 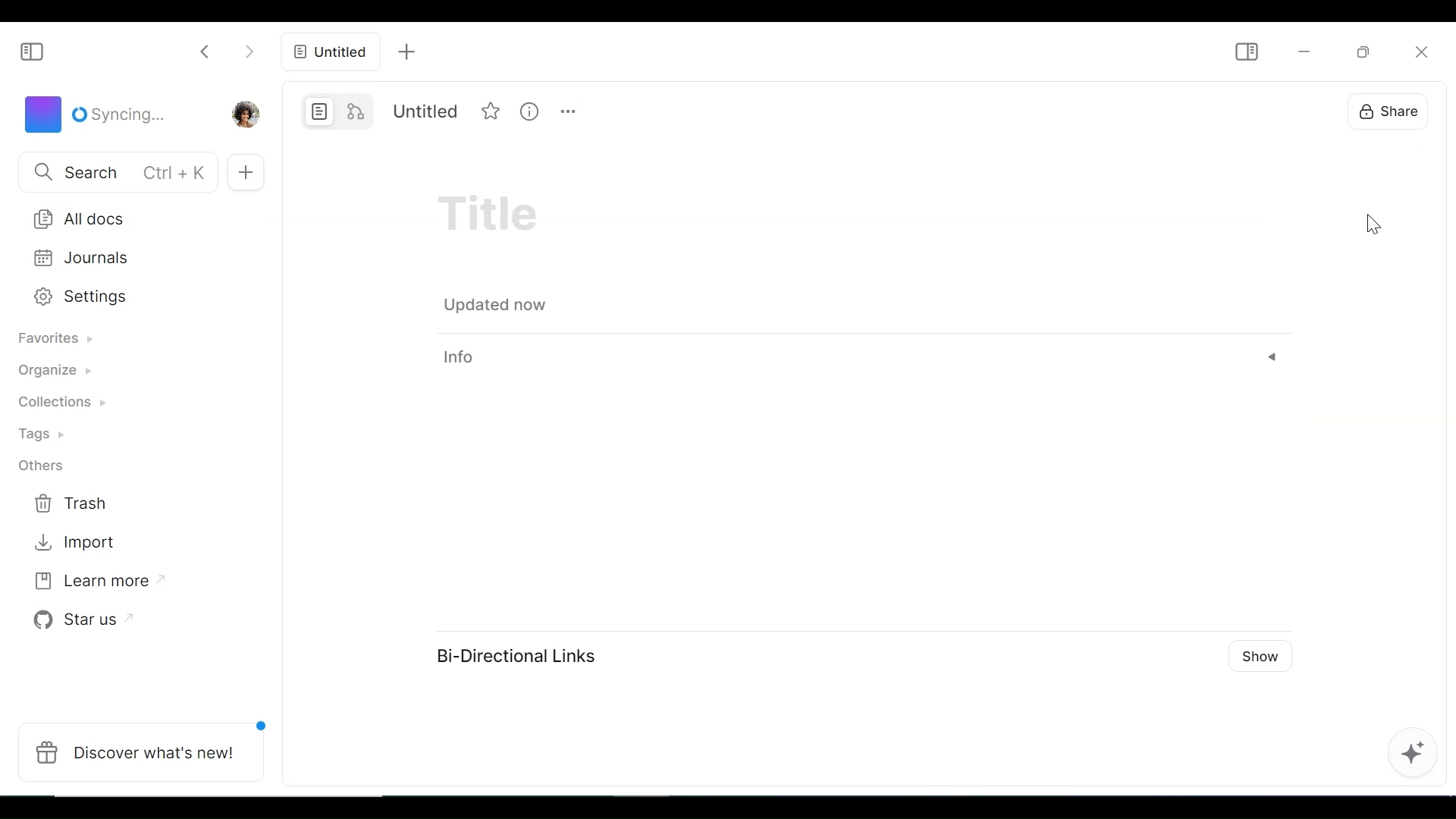 What do you see at coordinates (1373, 225) in the screenshot?
I see `cursor` at bounding box center [1373, 225].